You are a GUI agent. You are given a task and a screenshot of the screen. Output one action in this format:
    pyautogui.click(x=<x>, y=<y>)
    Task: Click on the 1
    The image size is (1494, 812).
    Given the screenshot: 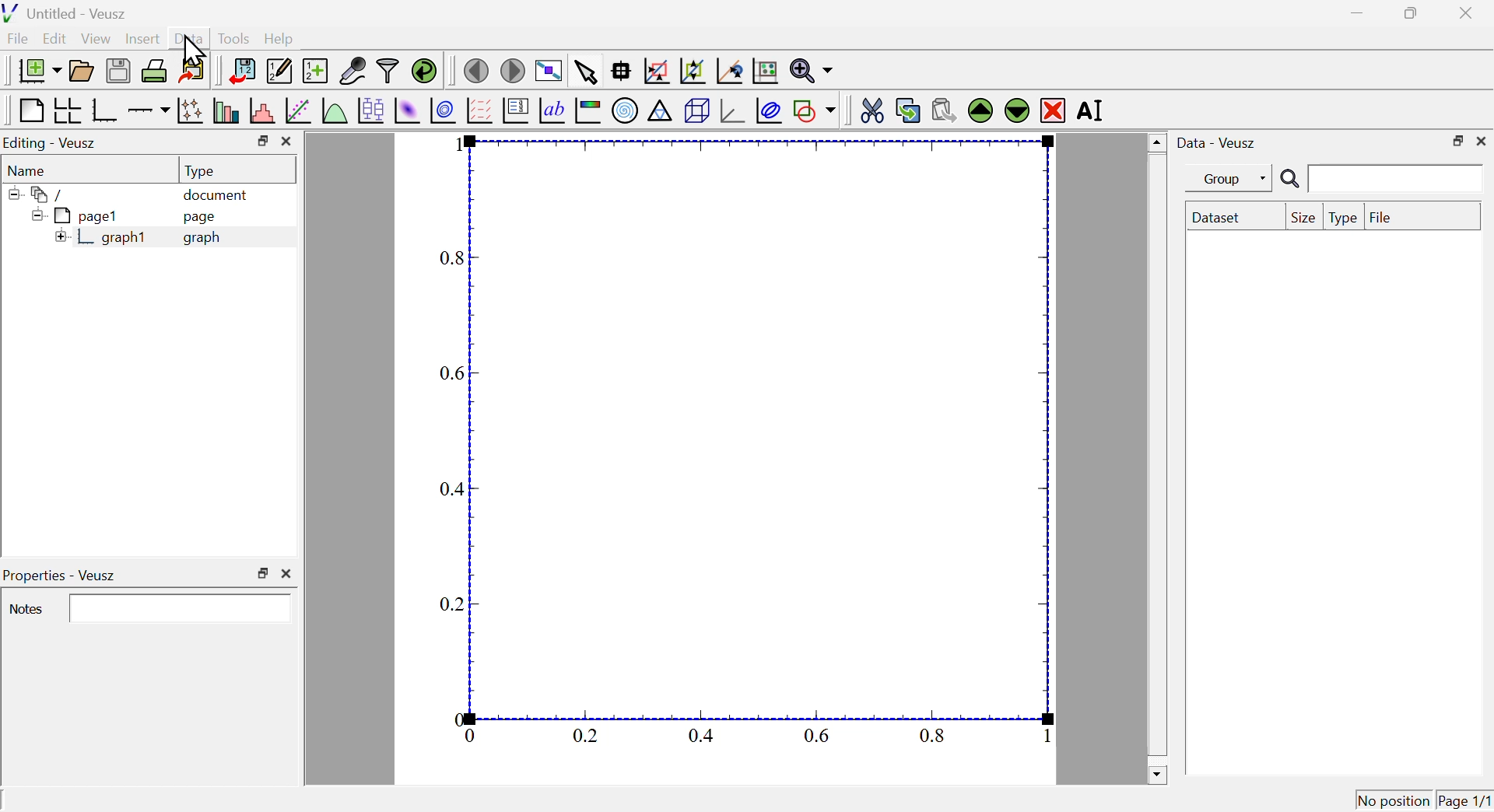 What is the action you would take?
    pyautogui.click(x=459, y=146)
    